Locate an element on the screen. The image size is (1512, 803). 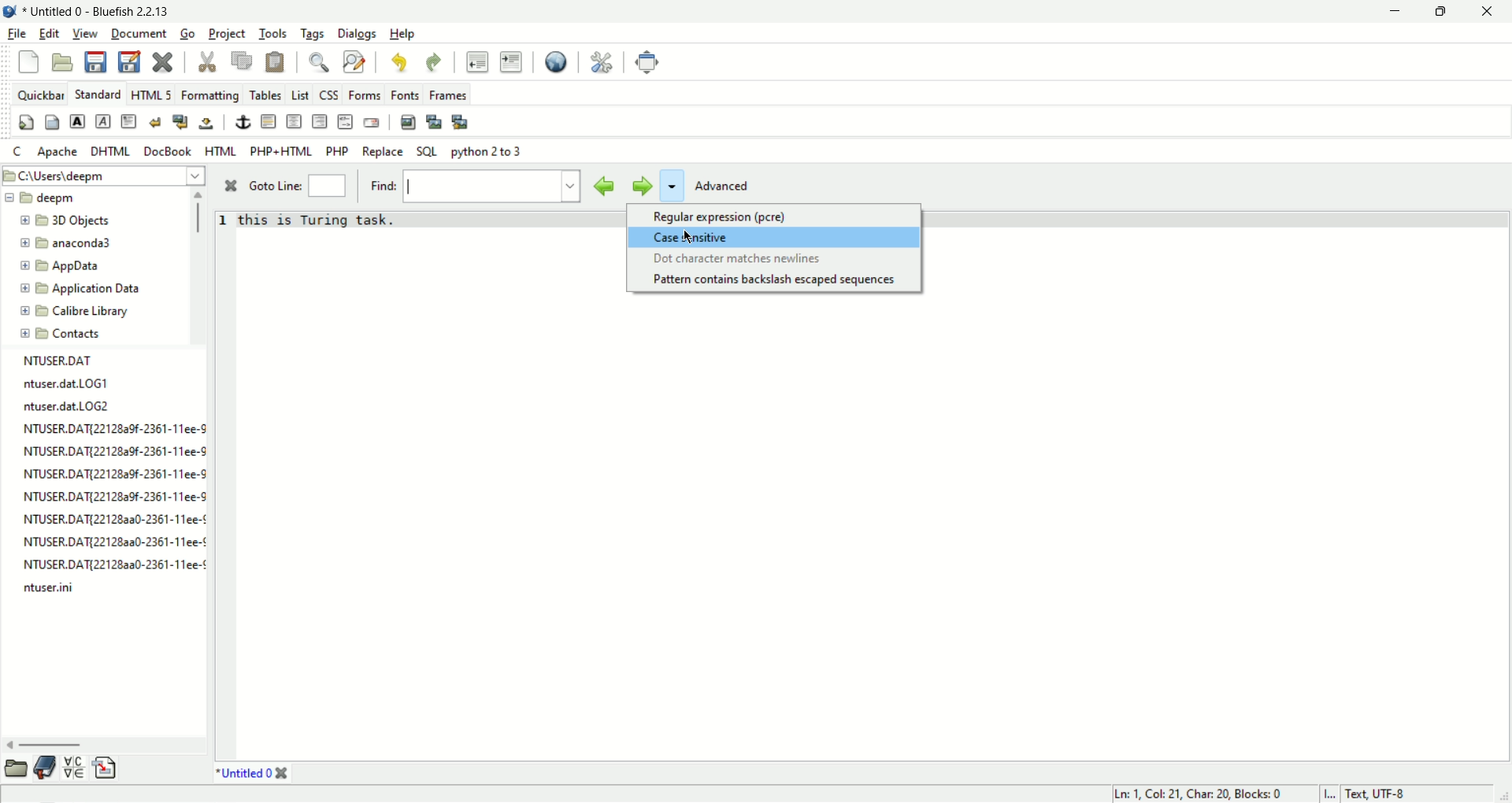
goto line number is located at coordinates (327, 187).